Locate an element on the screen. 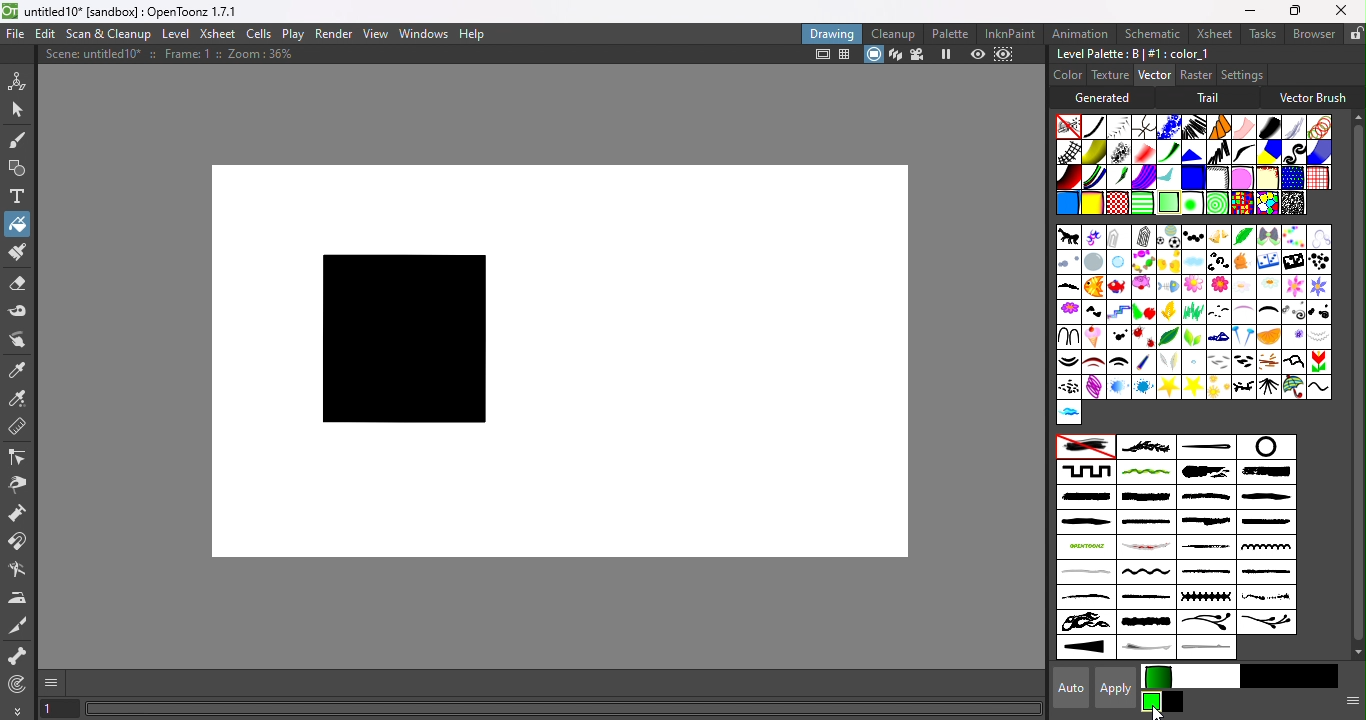  View is located at coordinates (375, 34).